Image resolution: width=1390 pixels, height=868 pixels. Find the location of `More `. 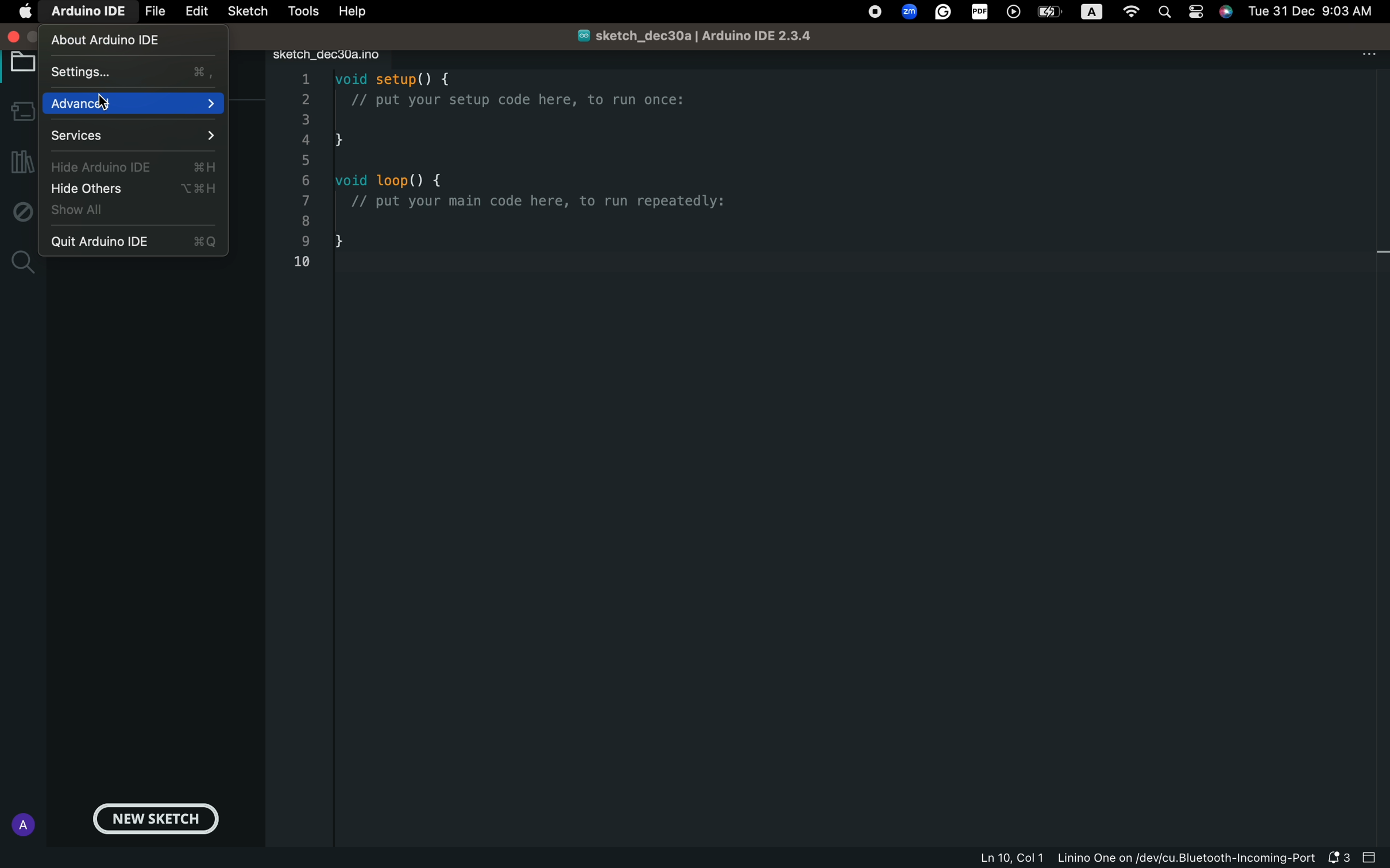

More  is located at coordinates (1368, 53).